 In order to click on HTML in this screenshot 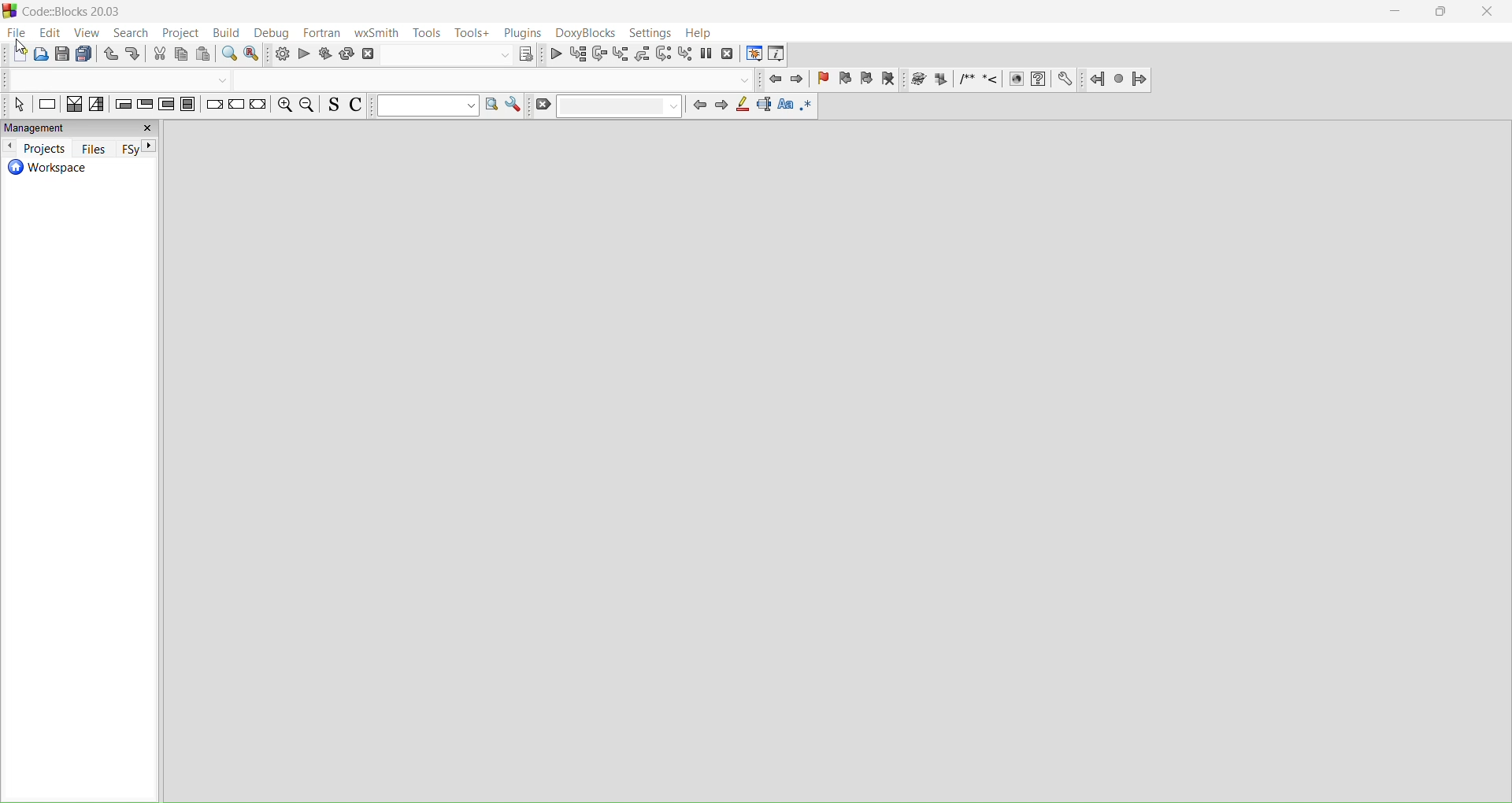, I will do `click(1015, 77)`.